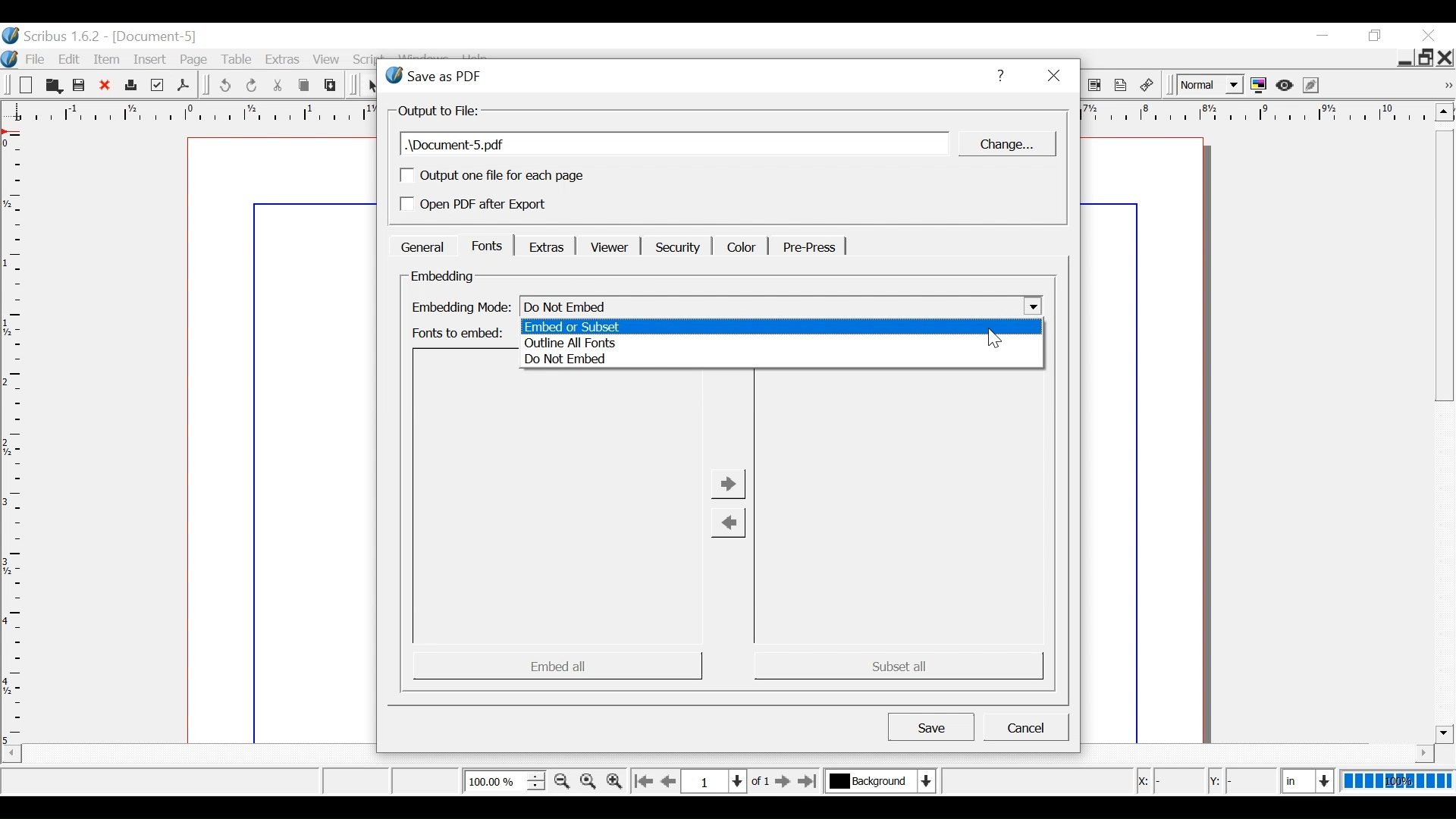  Describe the element at coordinates (739, 246) in the screenshot. I see `Color` at that location.